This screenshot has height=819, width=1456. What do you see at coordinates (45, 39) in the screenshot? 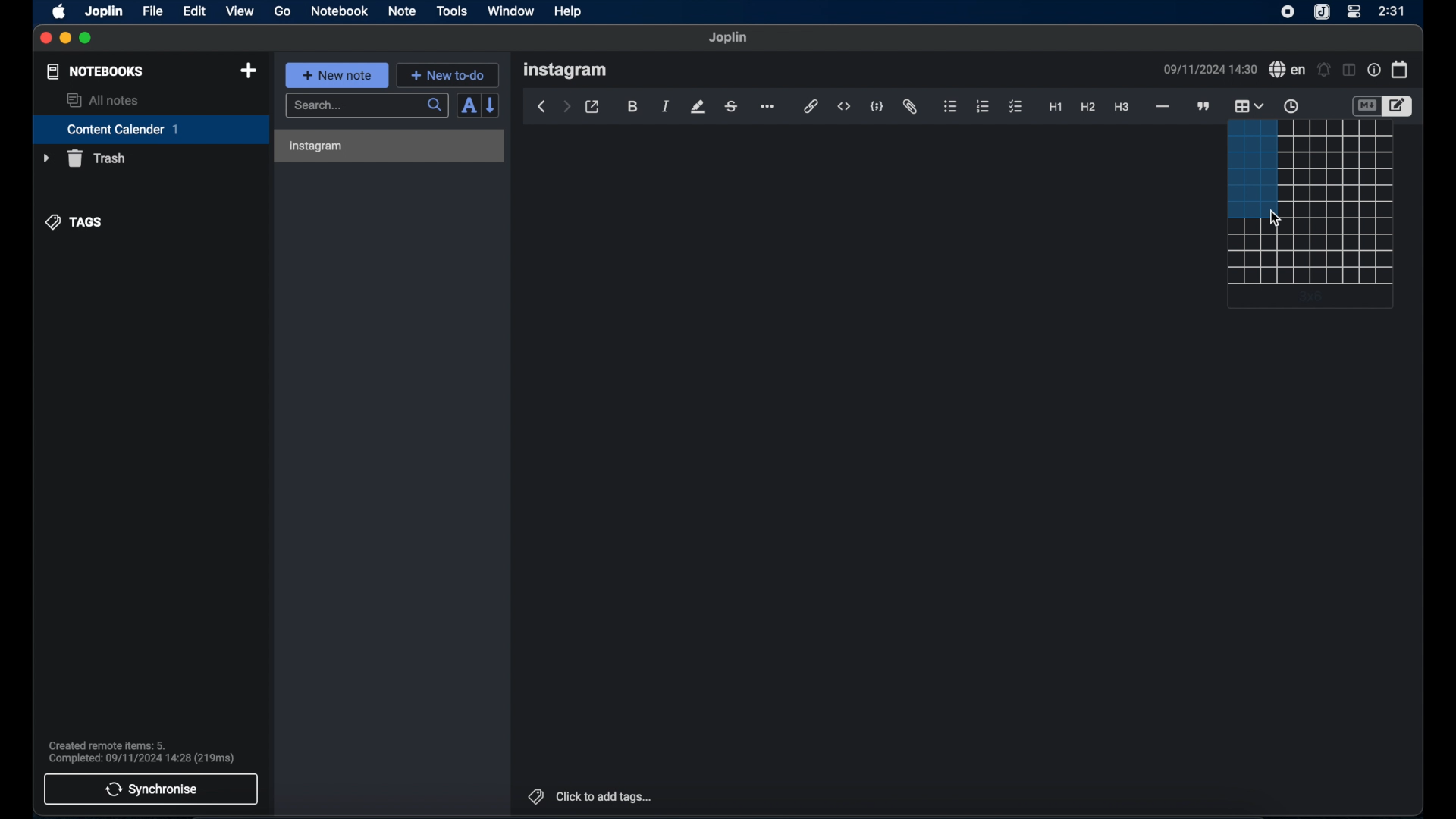
I see `close` at bounding box center [45, 39].